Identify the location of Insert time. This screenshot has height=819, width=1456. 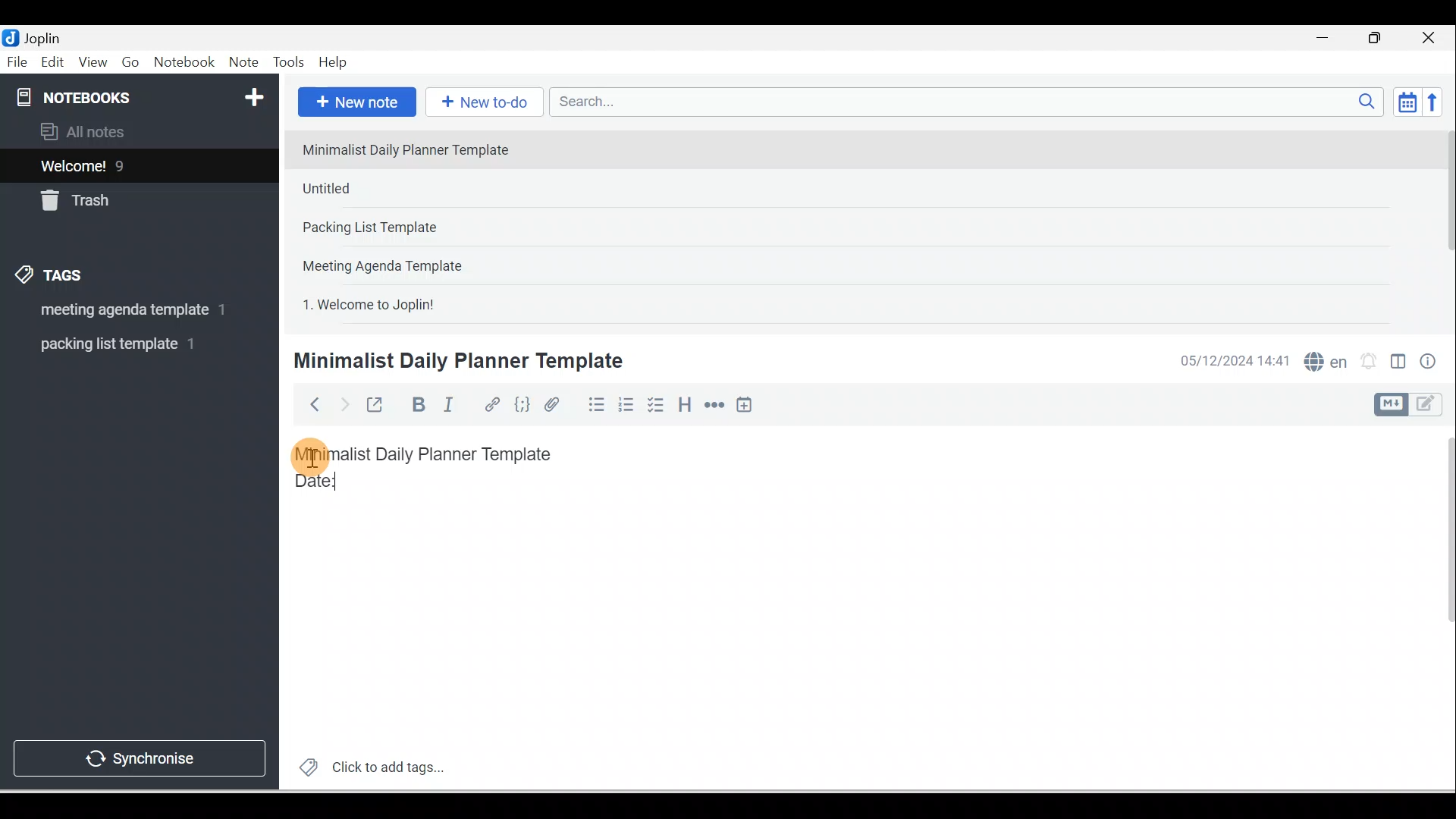
(744, 406).